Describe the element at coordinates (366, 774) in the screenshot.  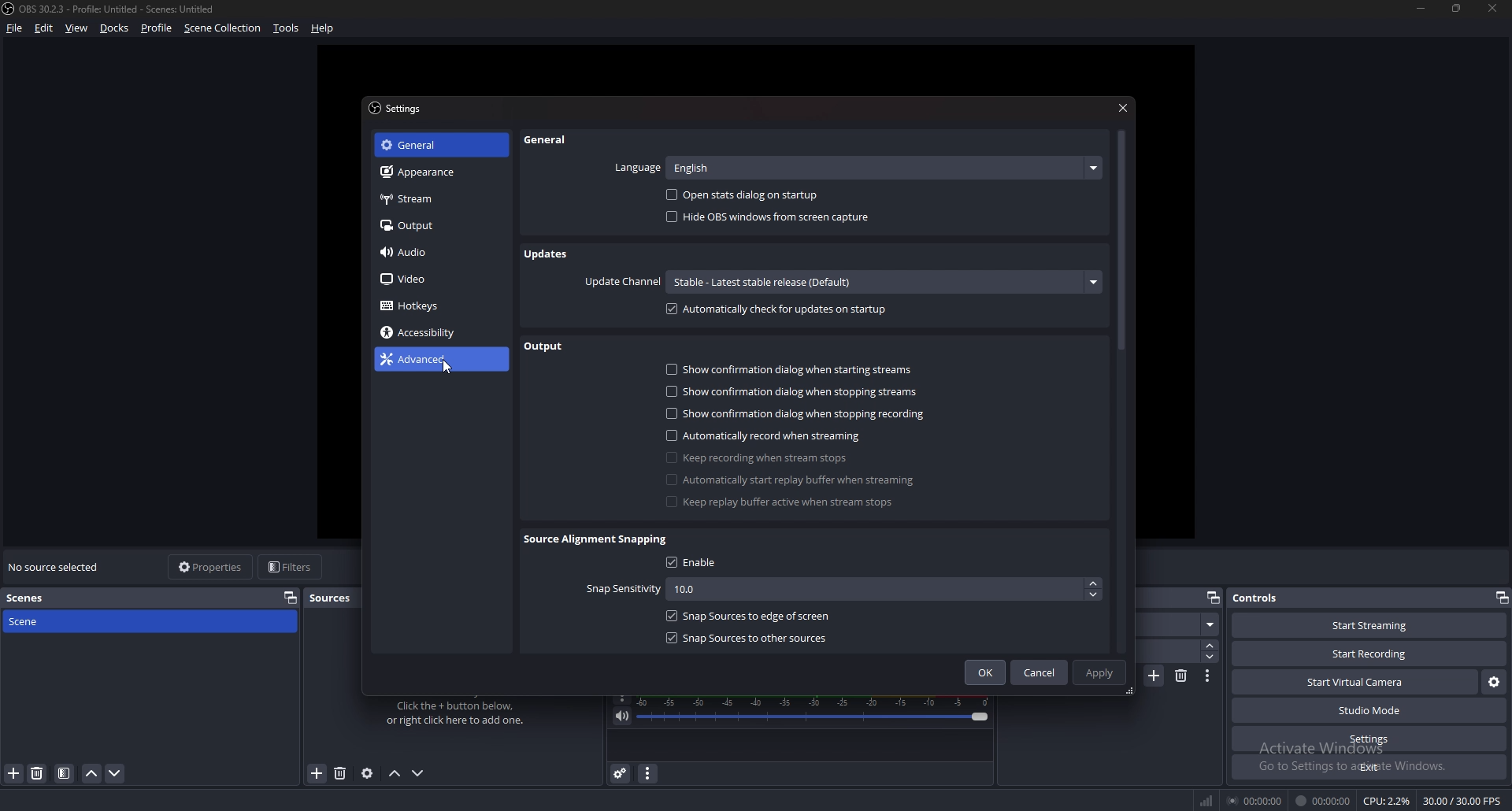
I see `source properties` at that location.